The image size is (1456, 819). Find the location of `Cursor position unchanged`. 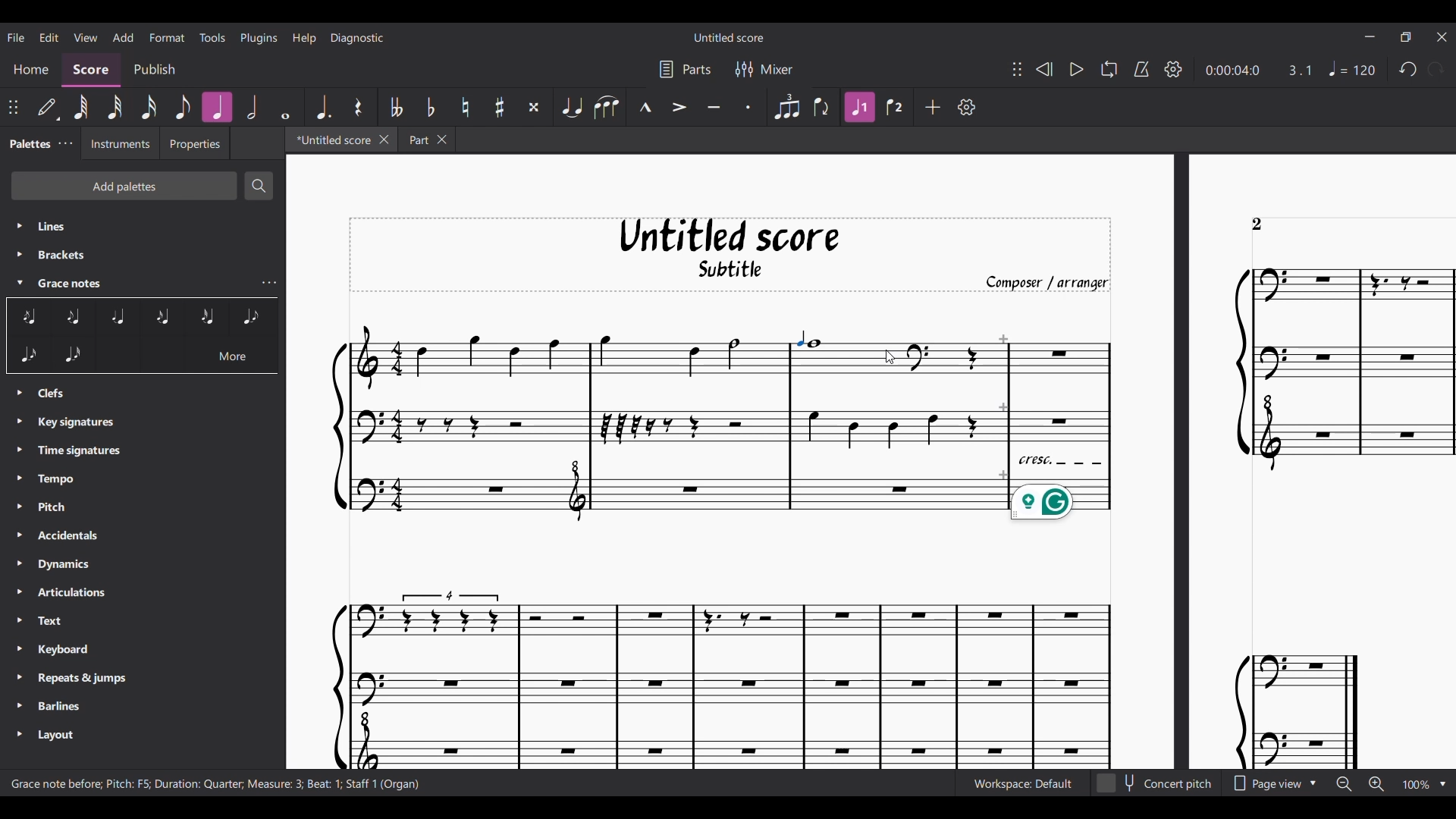

Cursor position unchanged is located at coordinates (890, 356).